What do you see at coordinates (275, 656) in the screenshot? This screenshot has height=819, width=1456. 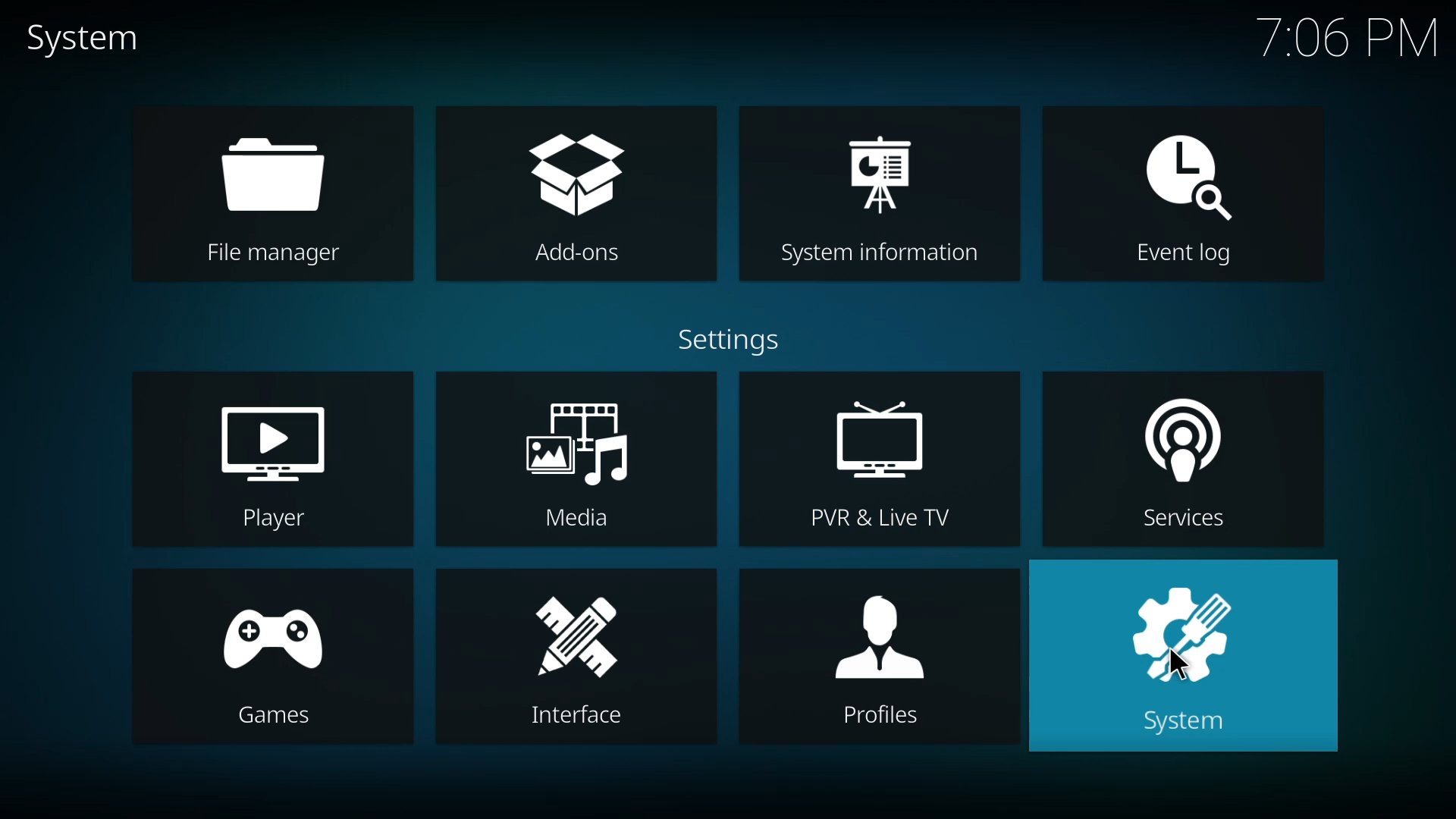 I see `games` at bounding box center [275, 656].